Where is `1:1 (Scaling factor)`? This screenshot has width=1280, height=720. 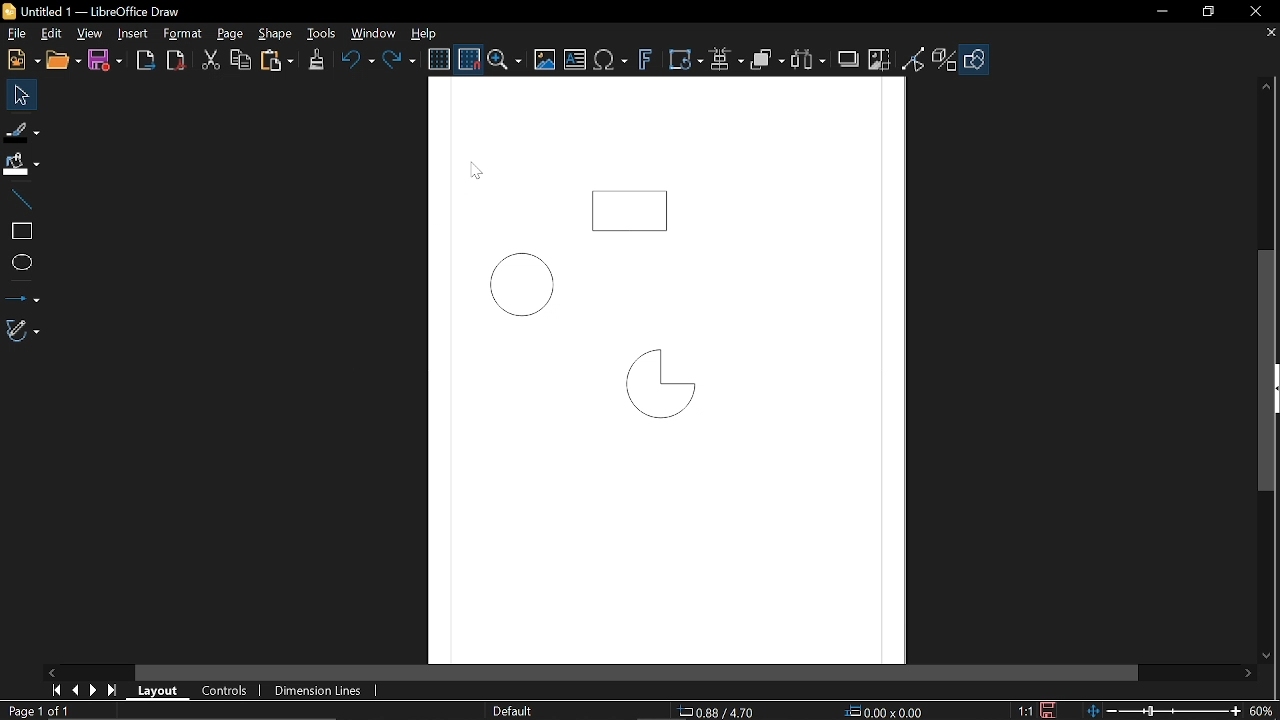 1:1 (Scaling factor) is located at coordinates (1026, 710).